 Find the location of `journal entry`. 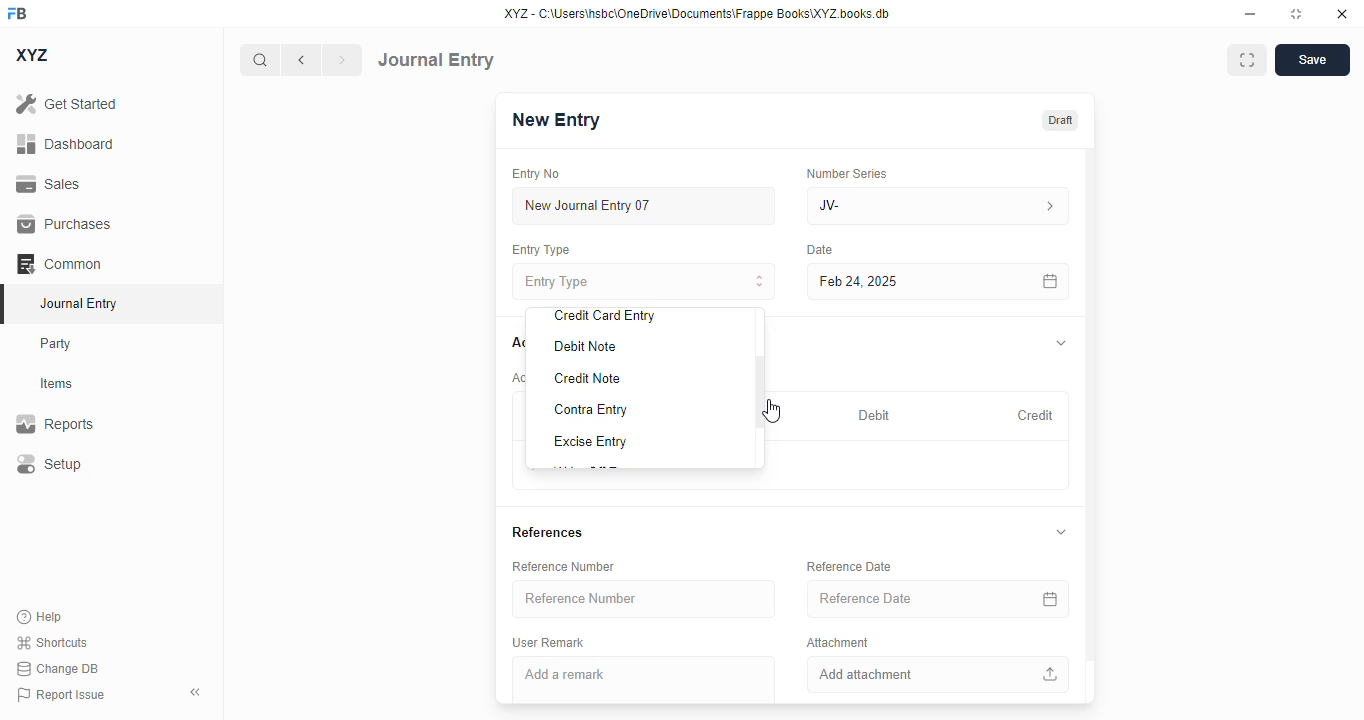

journal entry is located at coordinates (80, 303).